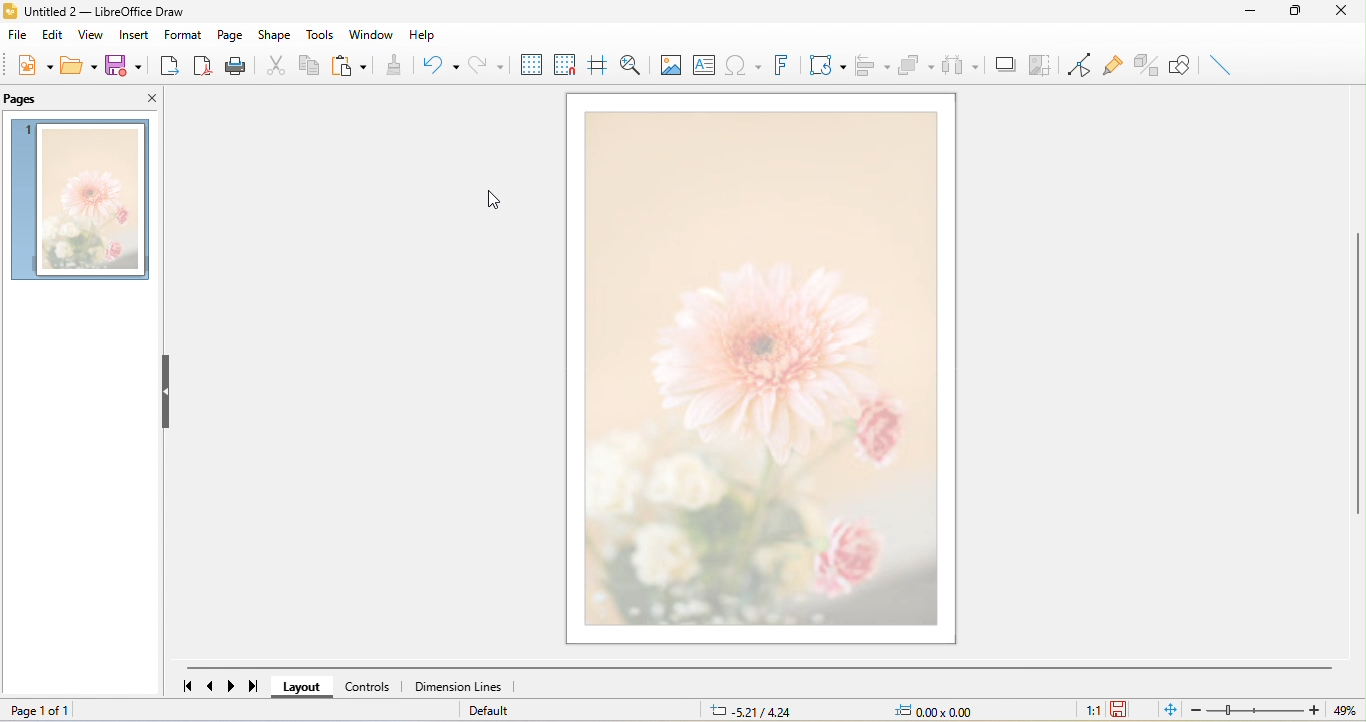 The width and height of the screenshot is (1366, 722). Describe the element at coordinates (1357, 371) in the screenshot. I see `vertical scroll bar` at that location.